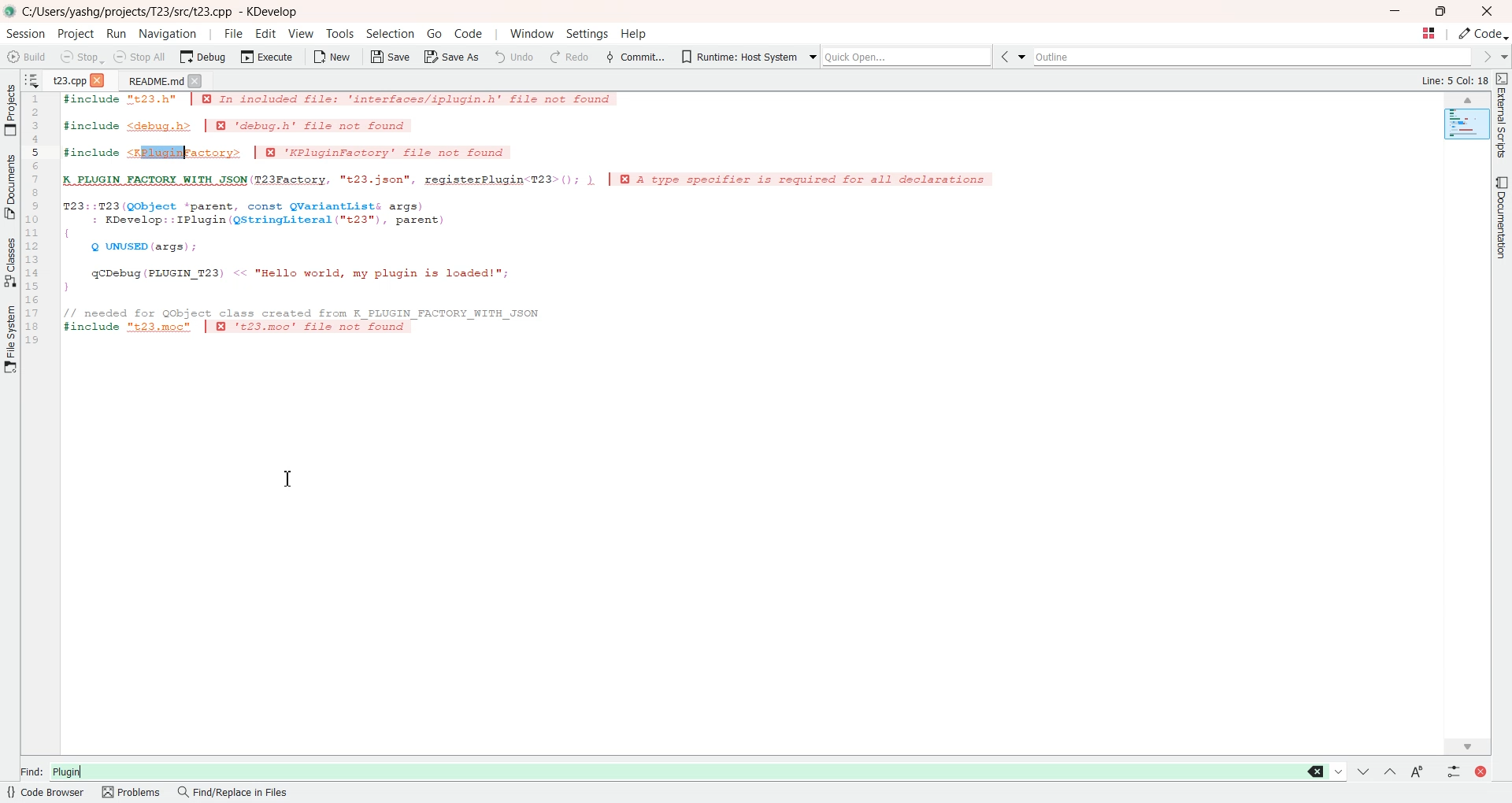 The height and width of the screenshot is (803, 1512). I want to click on Switch to power search and replace bar , so click(1451, 770).